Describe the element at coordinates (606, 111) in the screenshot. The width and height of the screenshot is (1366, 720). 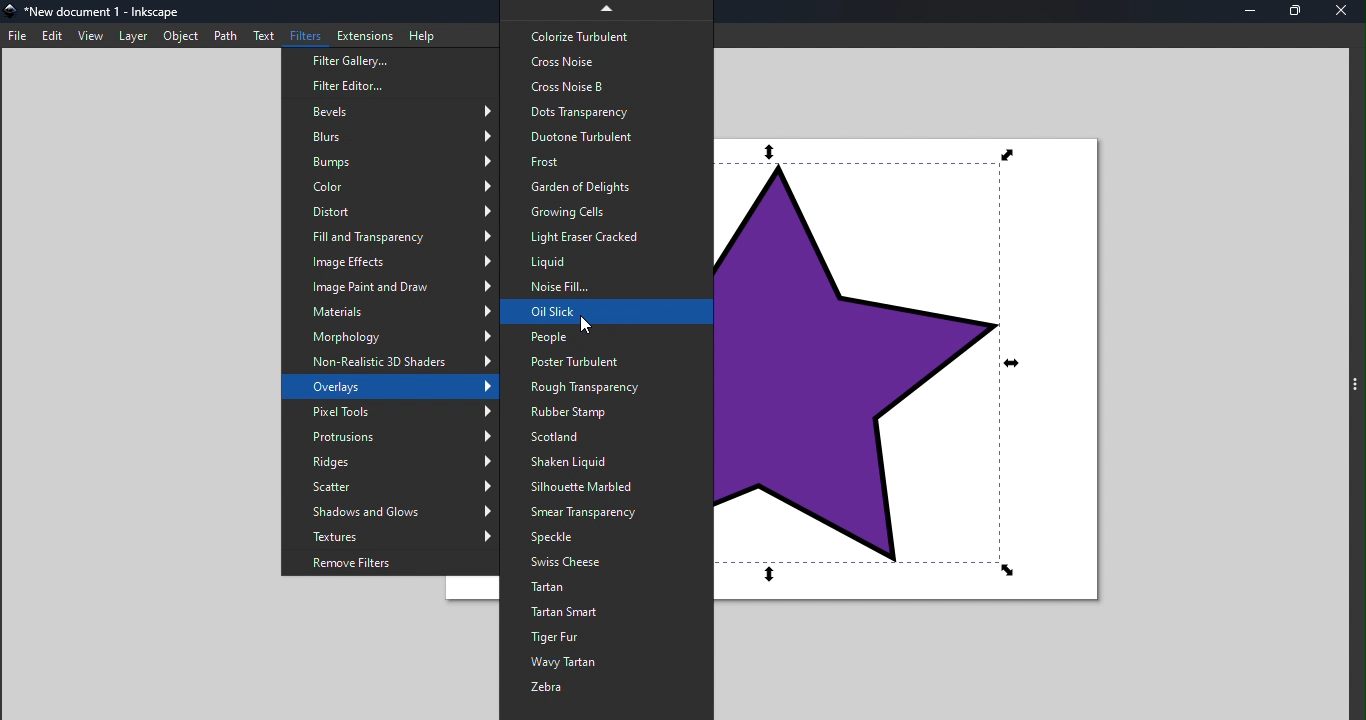
I see `Dots transparency` at that location.